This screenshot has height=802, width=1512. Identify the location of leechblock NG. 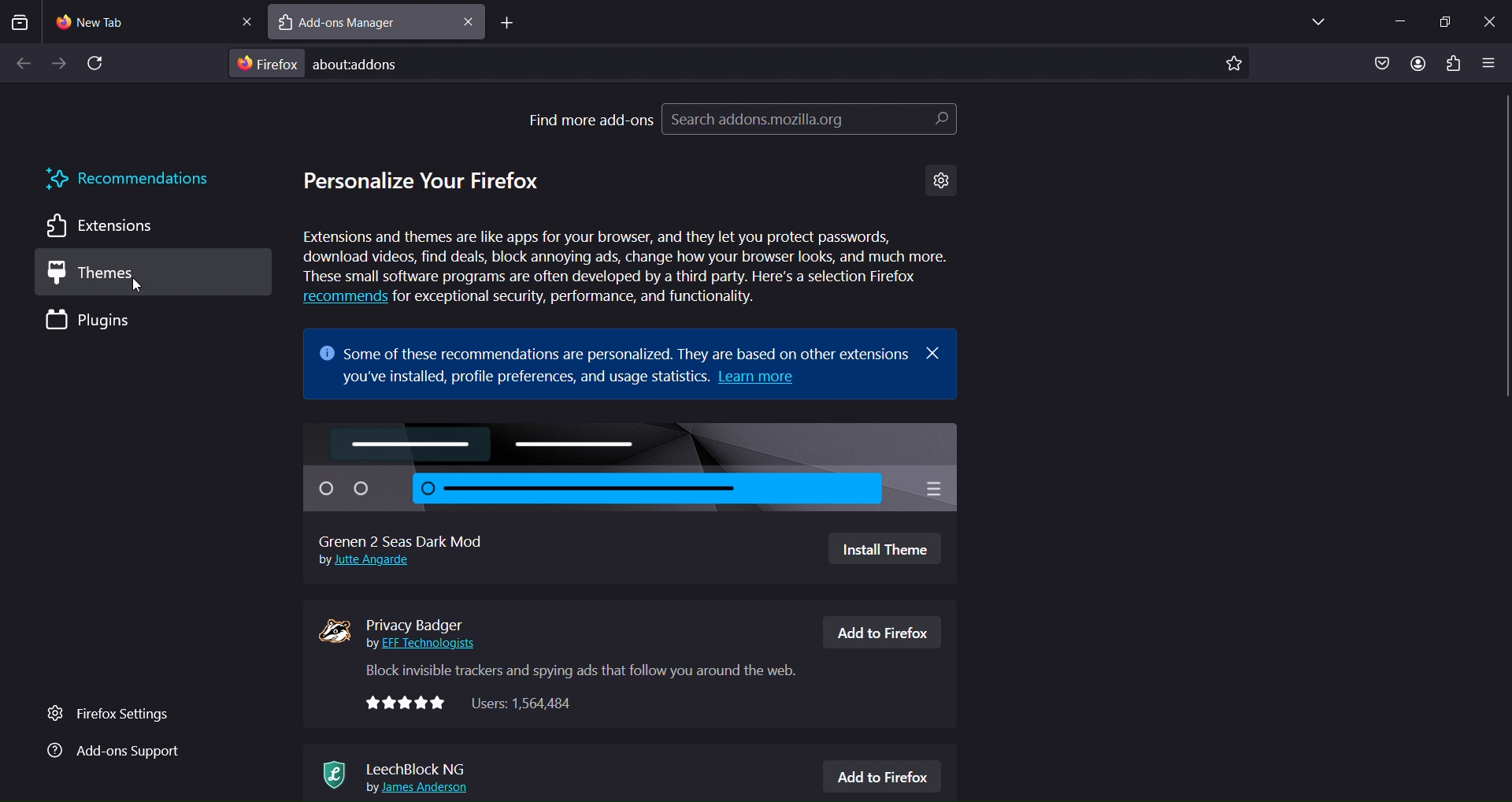
(418, 765).